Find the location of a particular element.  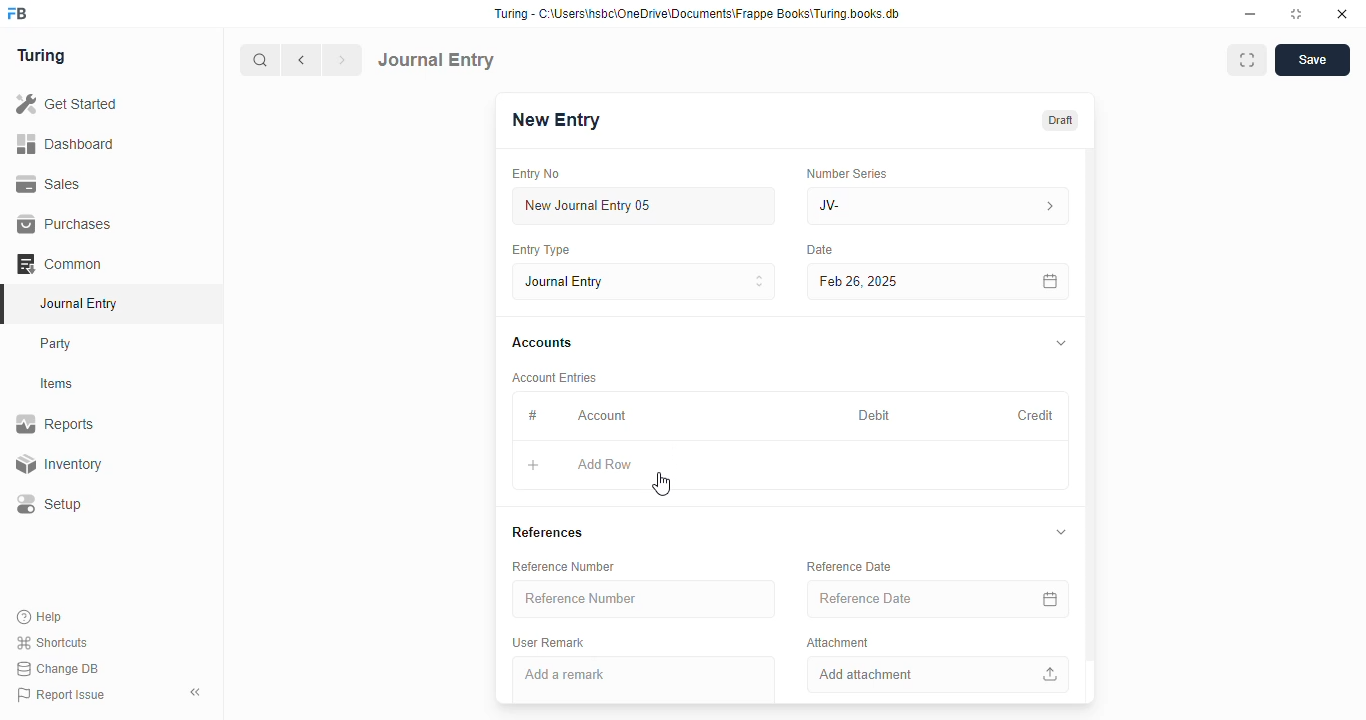

new entry is located at coordinates (555, 120).